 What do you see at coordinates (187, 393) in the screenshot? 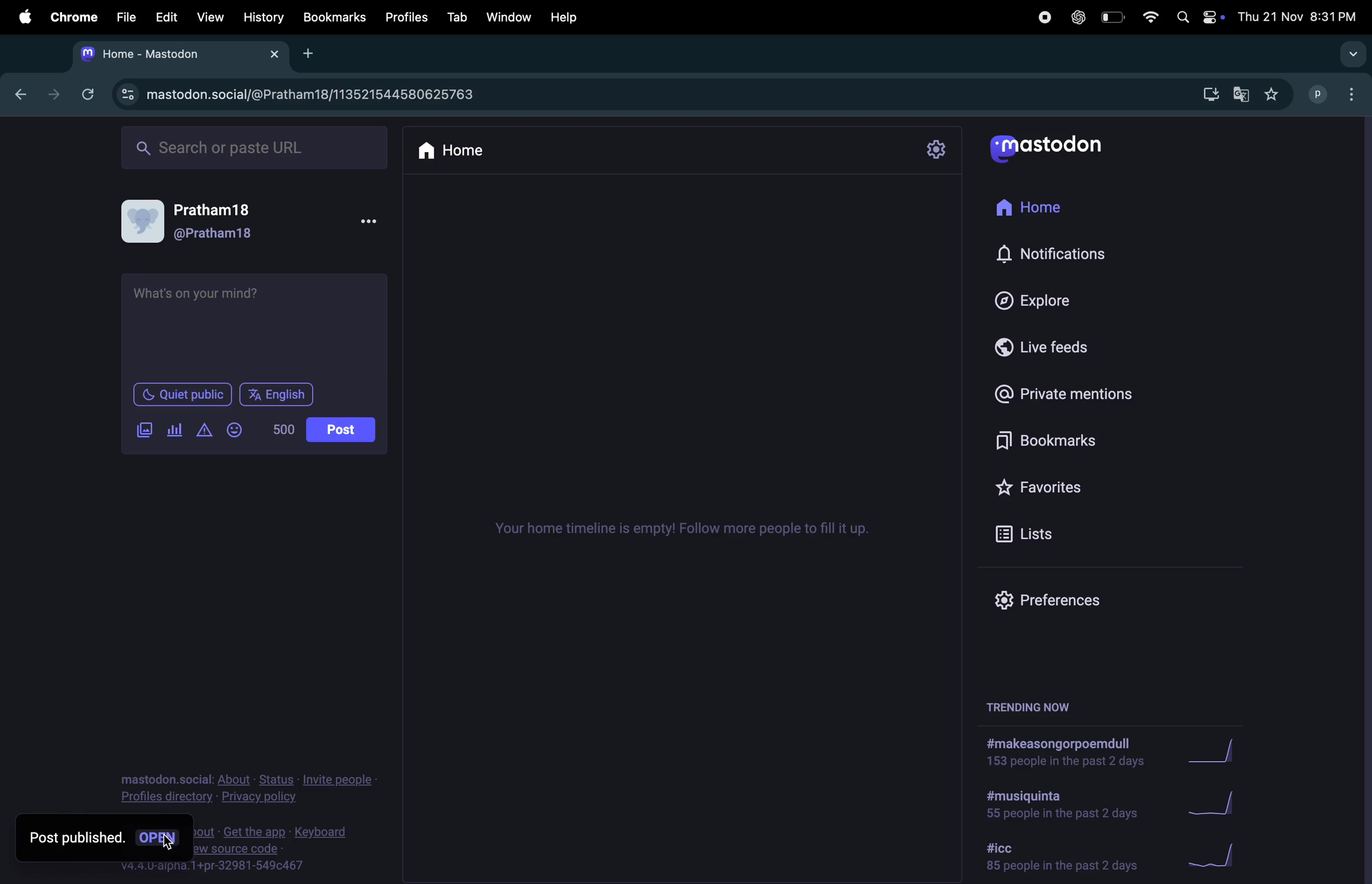
I see `quiet place` at bounding box center [187, 393].